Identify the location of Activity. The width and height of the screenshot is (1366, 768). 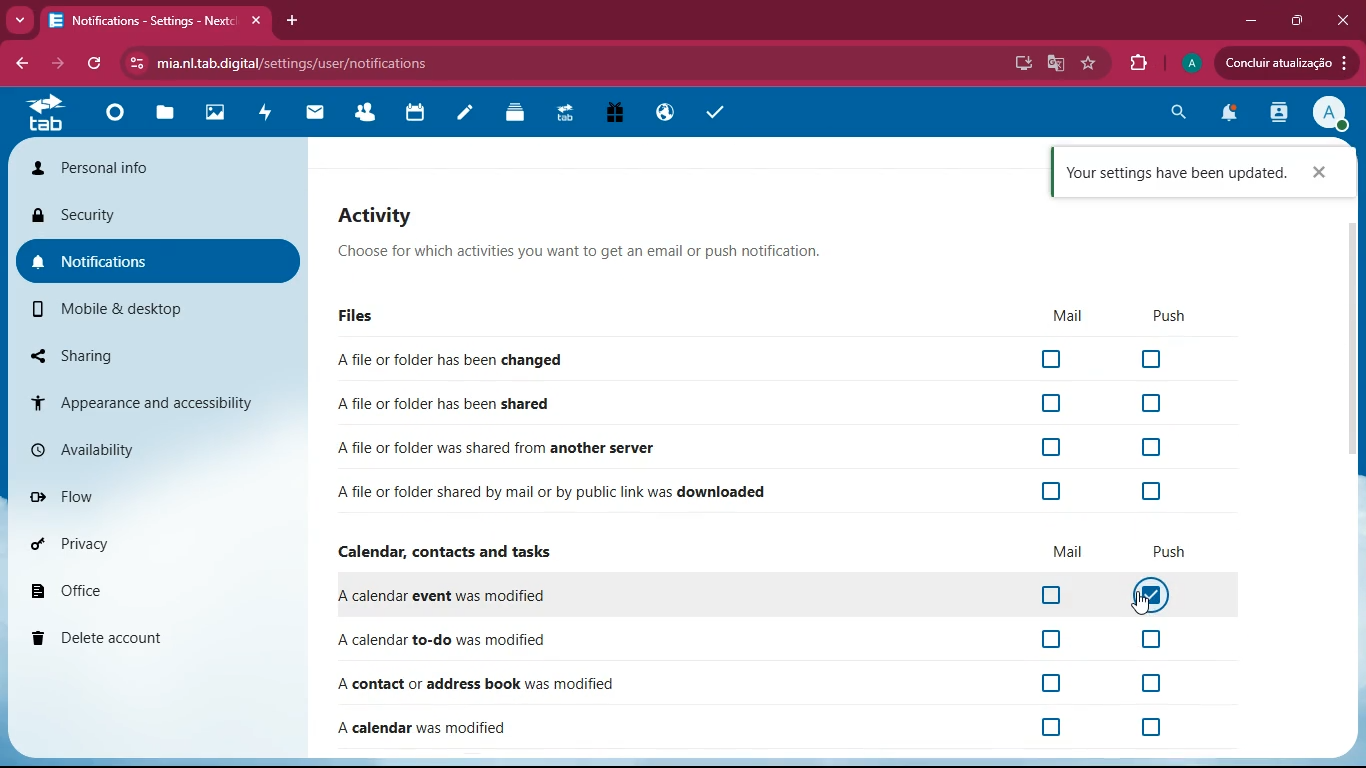
(582, 213).